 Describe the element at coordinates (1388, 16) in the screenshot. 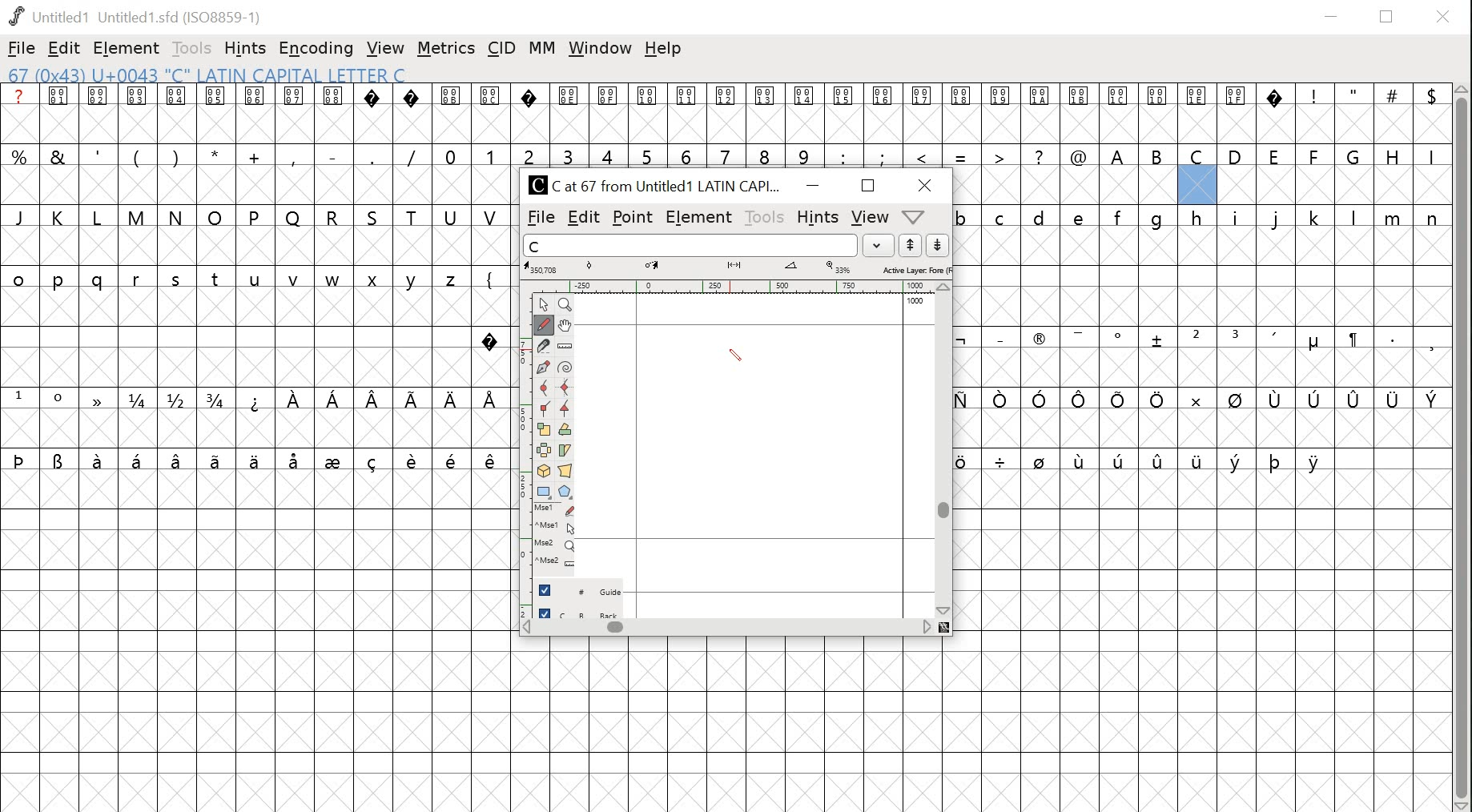

I see `restore down` at that location.